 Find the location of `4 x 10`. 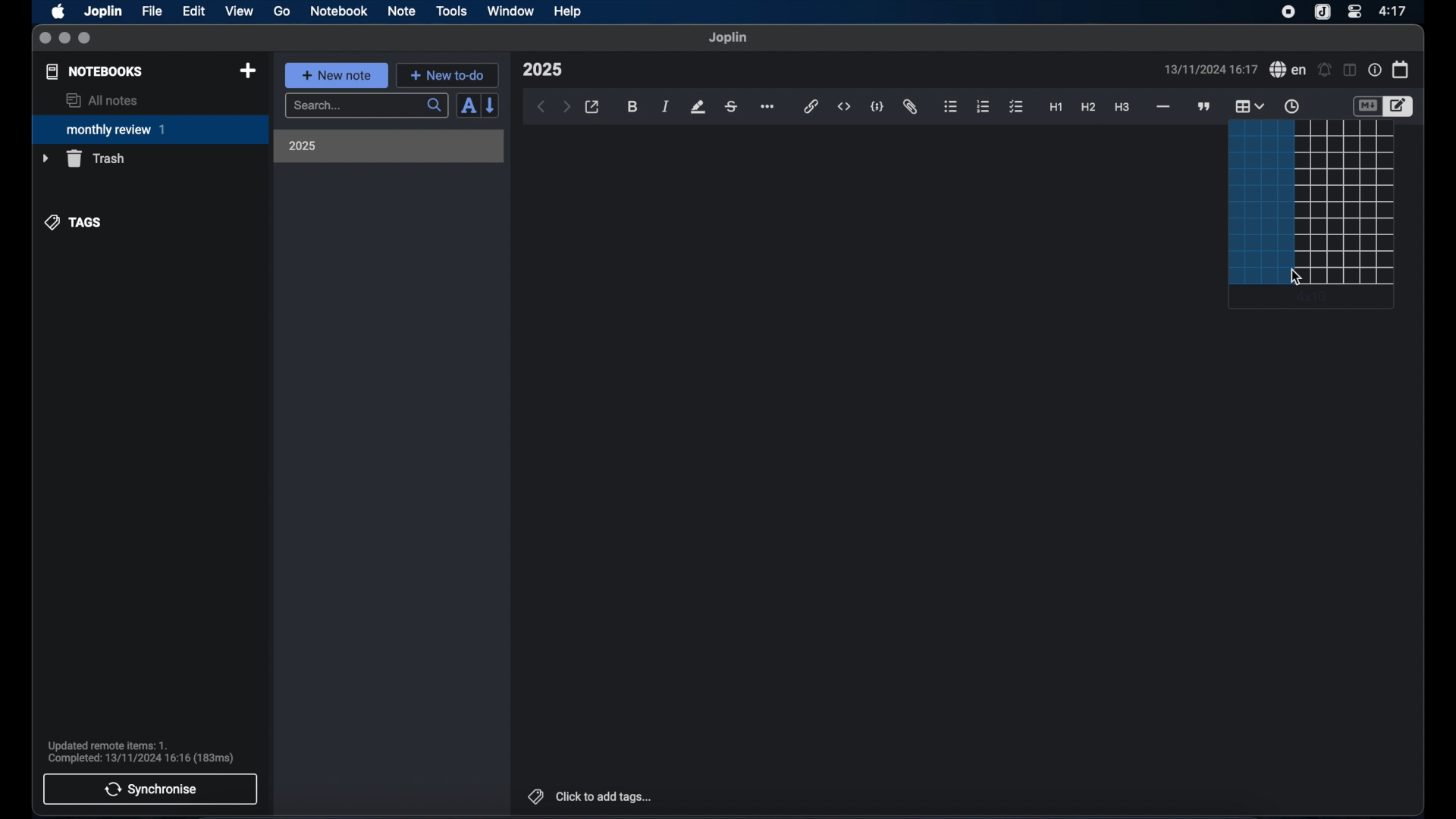

4 x 10 is located at coordinates (1312, 300).